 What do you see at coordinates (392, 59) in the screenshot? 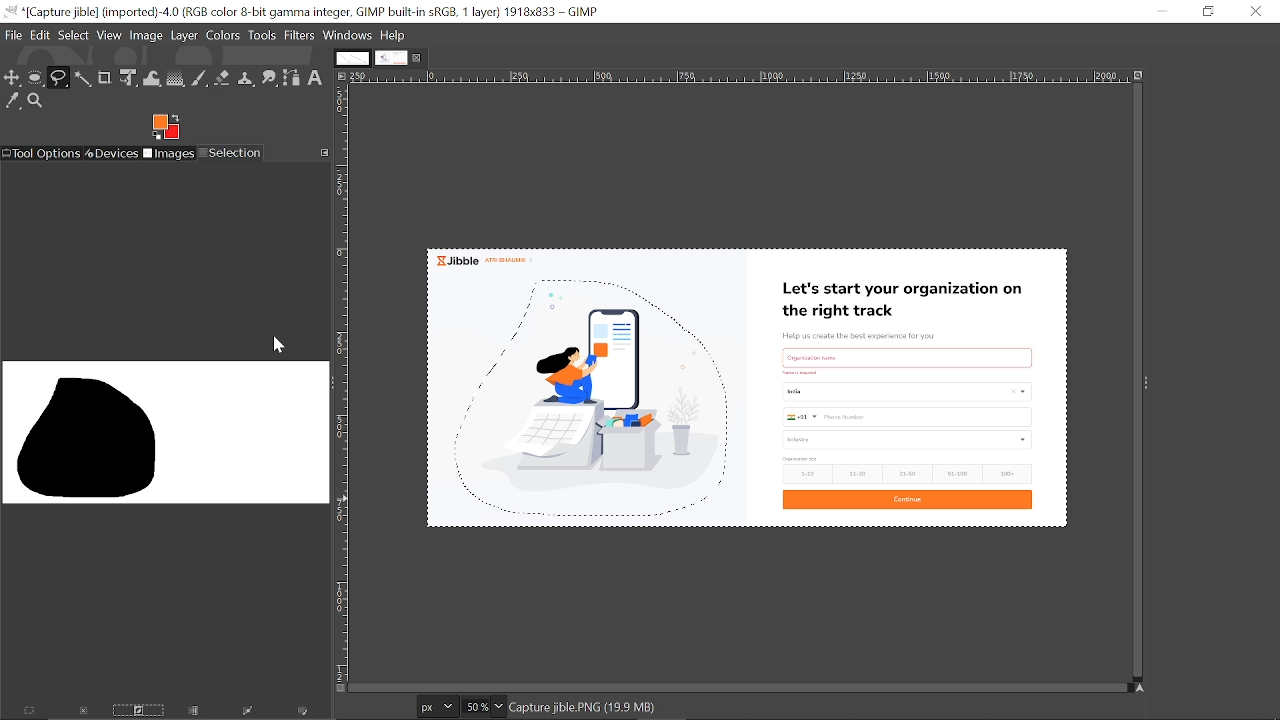
I see `Current tab` at bounding box center [392, 59].